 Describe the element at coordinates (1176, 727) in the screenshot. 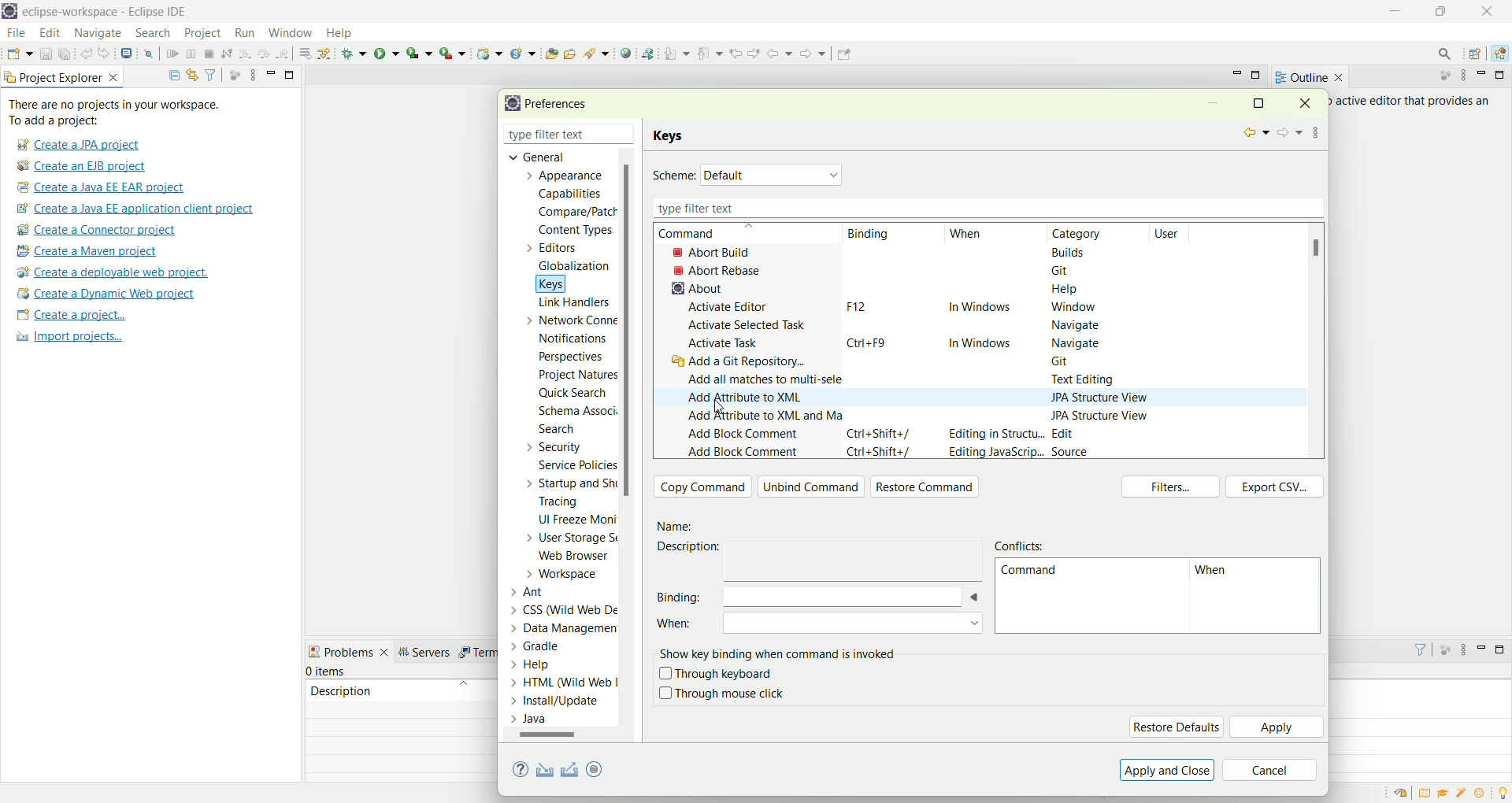

I see `restore default` at that location.